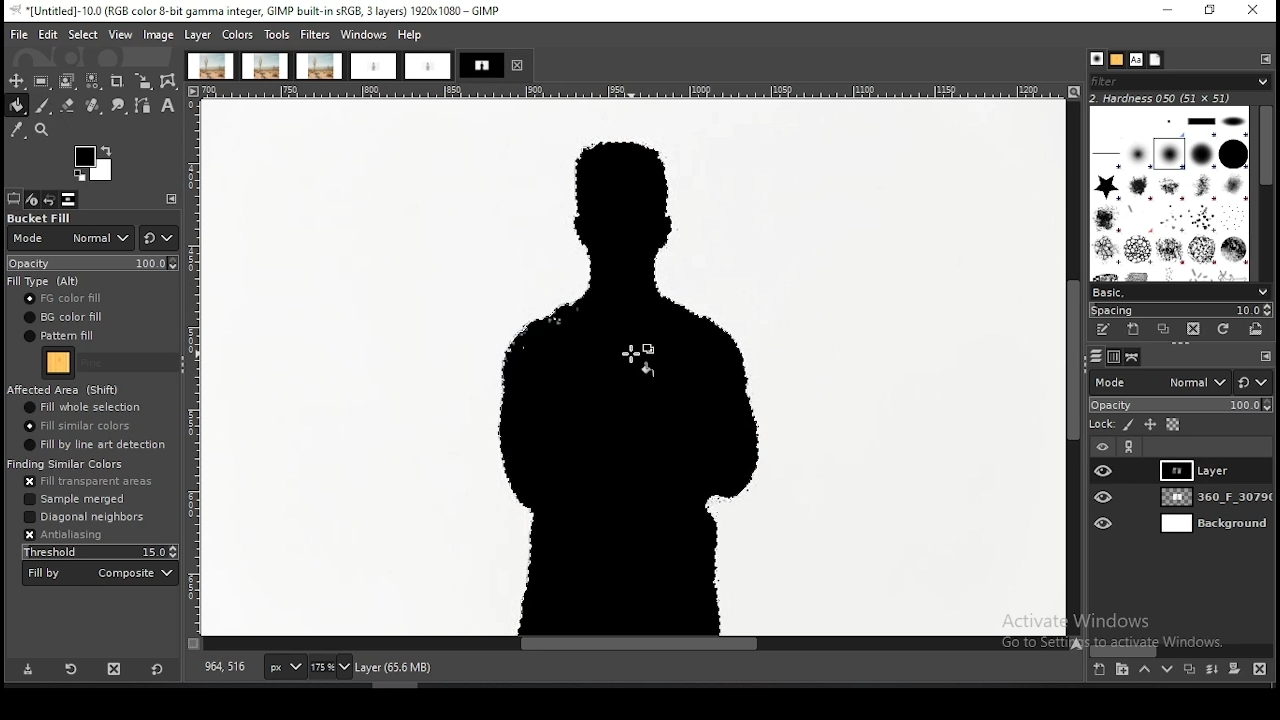 This screenshot has height=720, width=1280. I want to click on layer, so click(1212, 470).